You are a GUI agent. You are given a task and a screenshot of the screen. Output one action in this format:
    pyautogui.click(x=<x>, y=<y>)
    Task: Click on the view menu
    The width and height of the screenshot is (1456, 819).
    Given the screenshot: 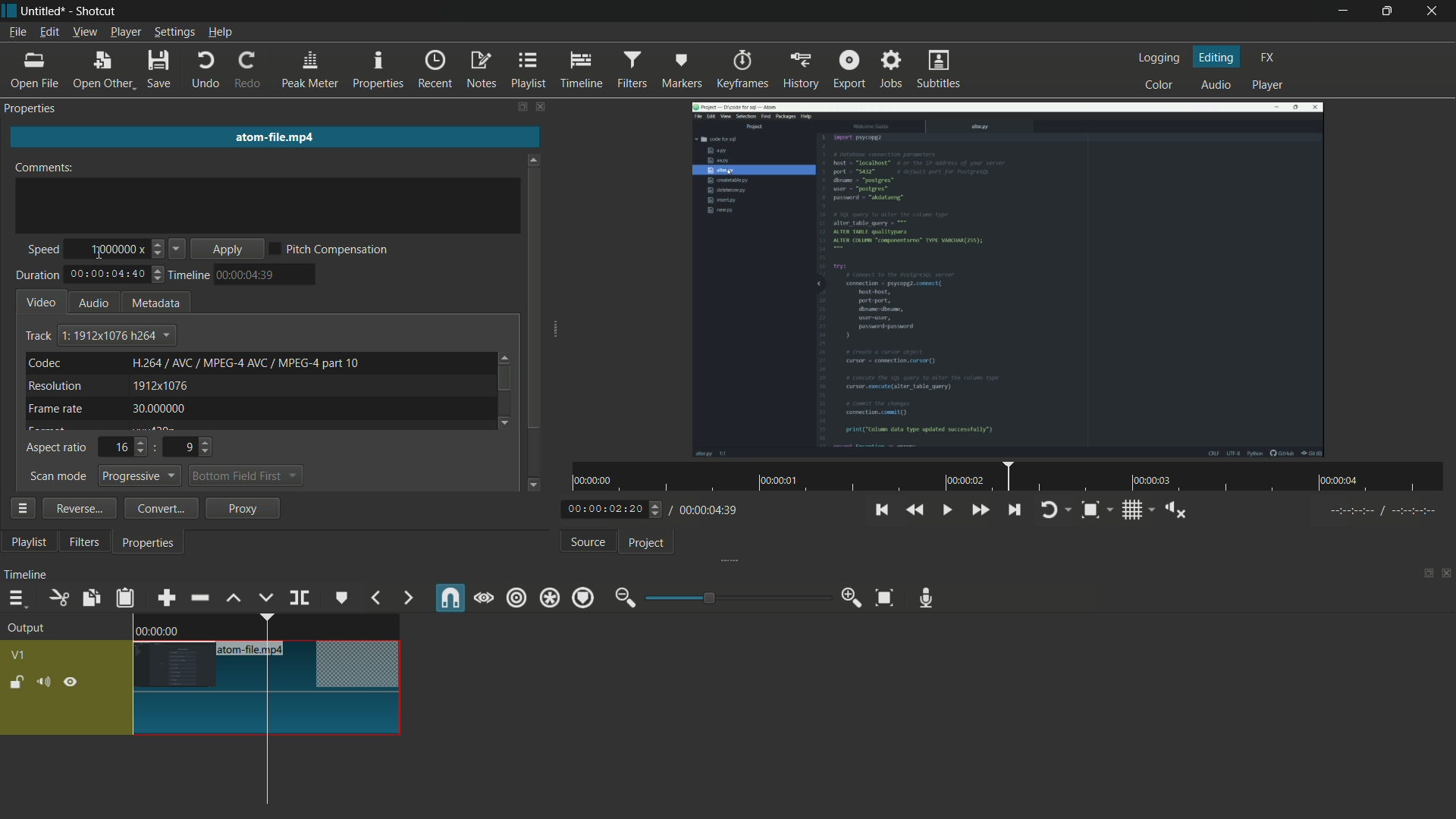 What is the action you would take?
    pyautogui.click(x=86, y=33)
    